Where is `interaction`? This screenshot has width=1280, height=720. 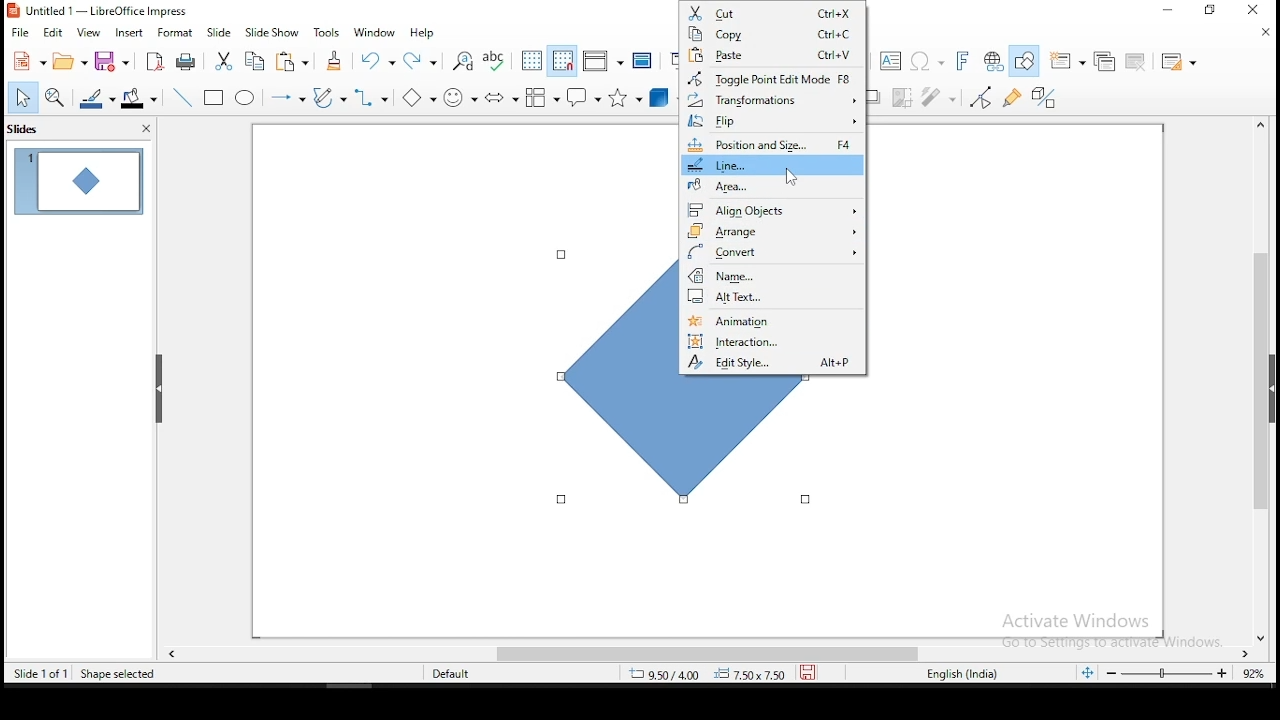
interaction is located at coordinates (774, 339).